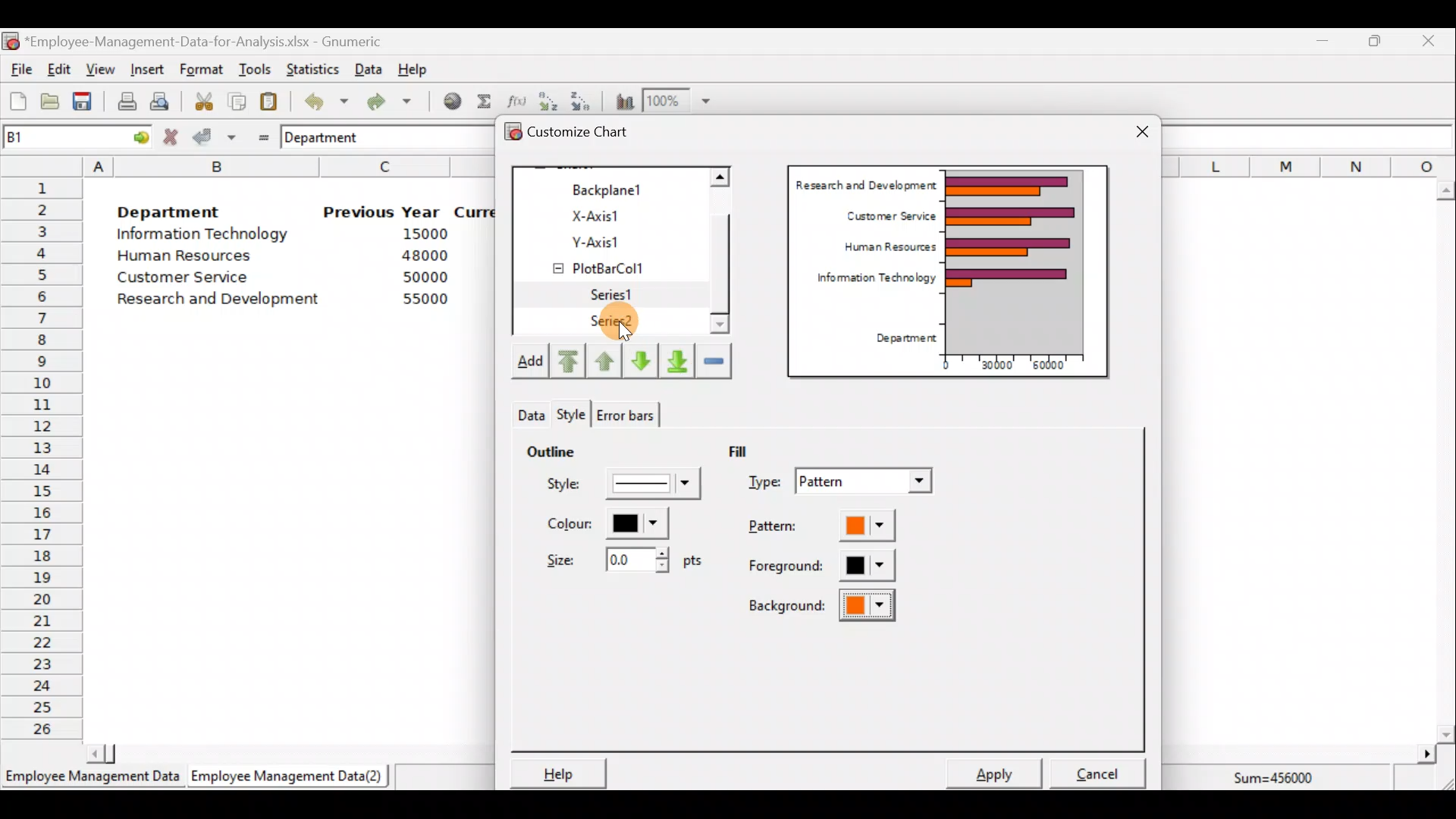 This screenshot has width=1456, height=819. Describe the element at coordinates (625, 412) in the screenshot. I see `Error bars` at that location.